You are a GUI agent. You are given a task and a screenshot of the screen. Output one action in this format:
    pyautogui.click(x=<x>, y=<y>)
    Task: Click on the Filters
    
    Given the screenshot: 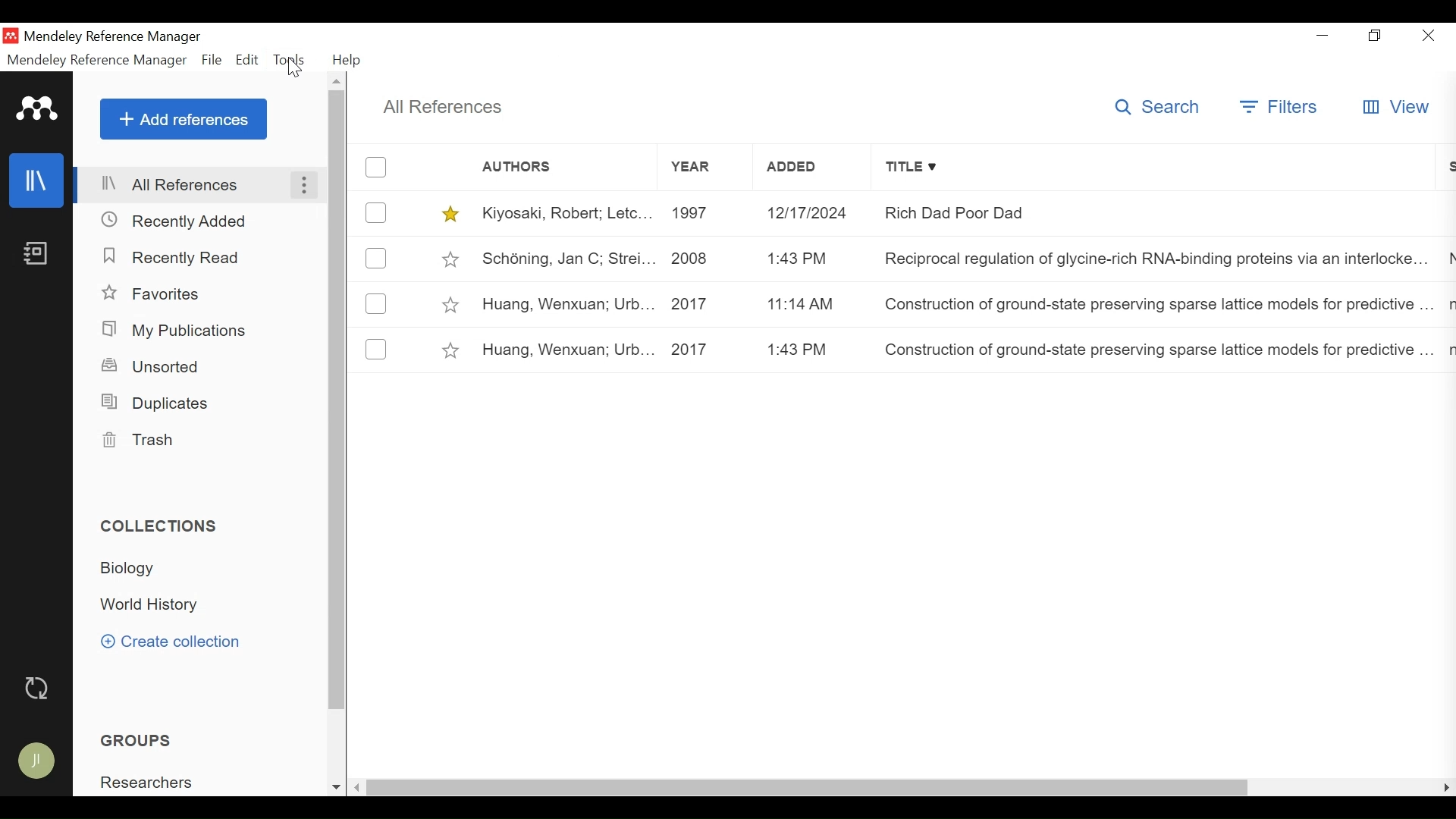 What is the action you would take?
    pyautogui.click(x=1282, y=108)
    